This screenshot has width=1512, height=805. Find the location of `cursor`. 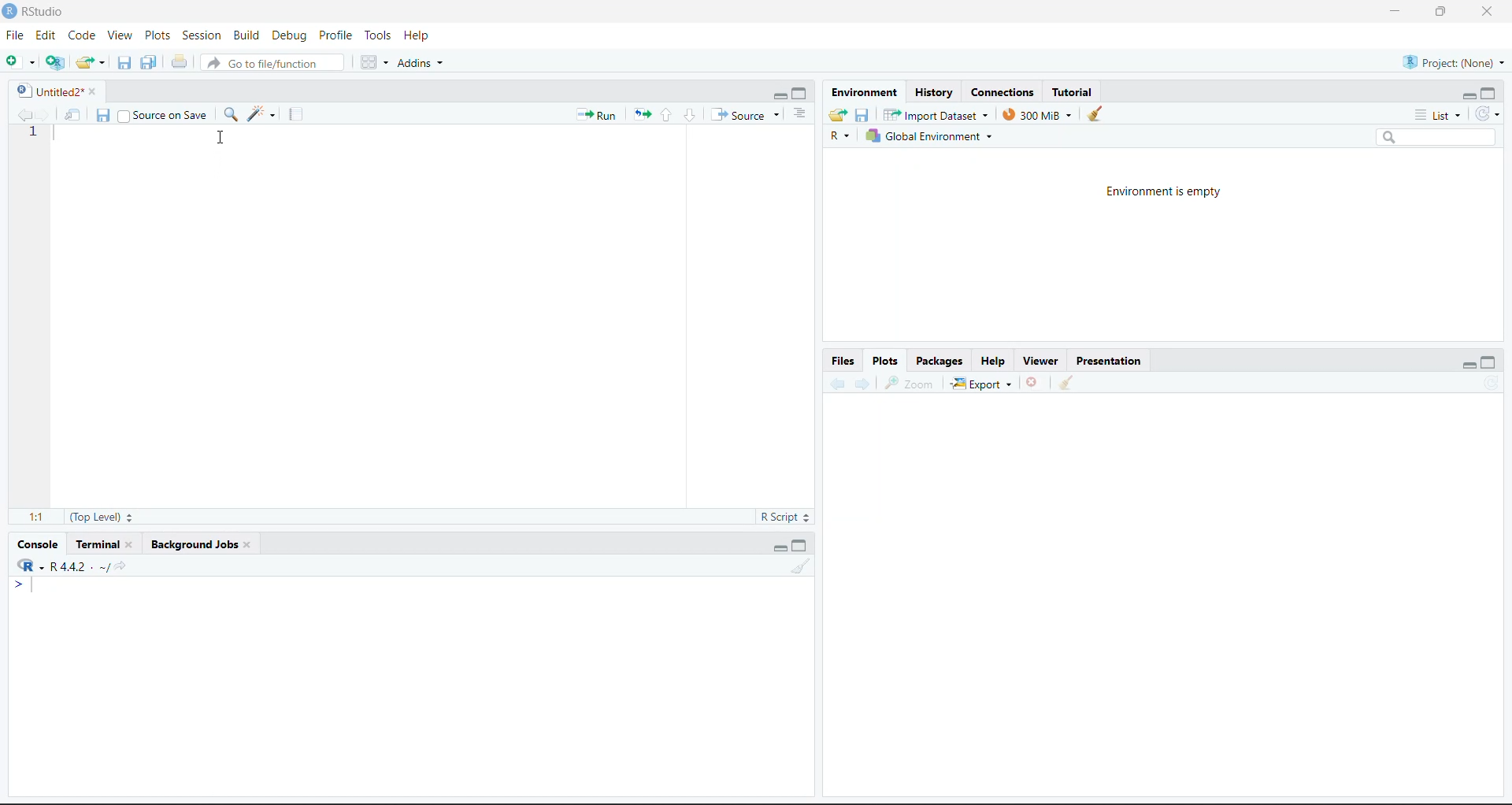

cursor is located at coordinates (217, 139).